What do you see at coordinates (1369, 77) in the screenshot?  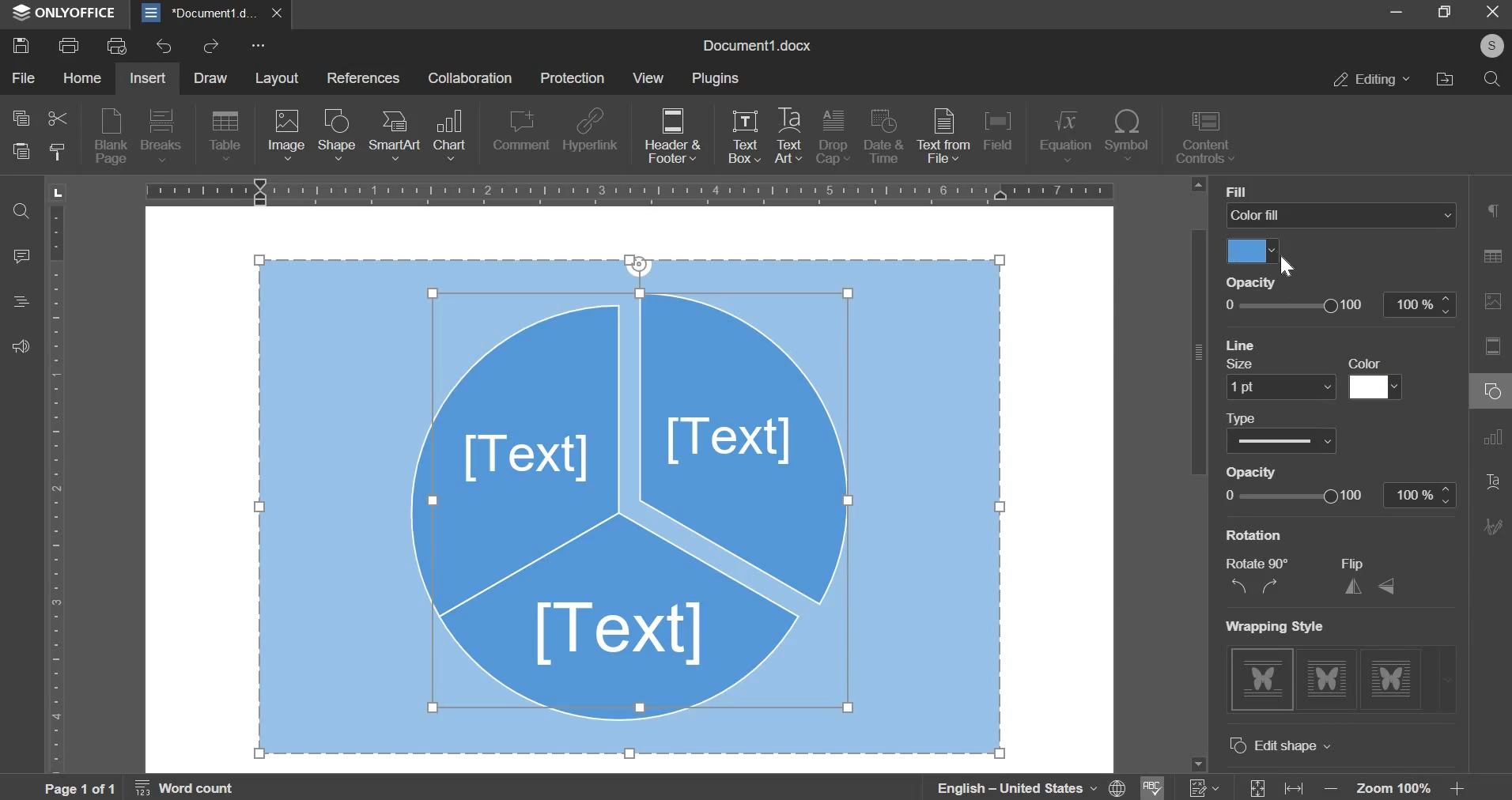 I see `editing` at bounding box center [1369, 77].